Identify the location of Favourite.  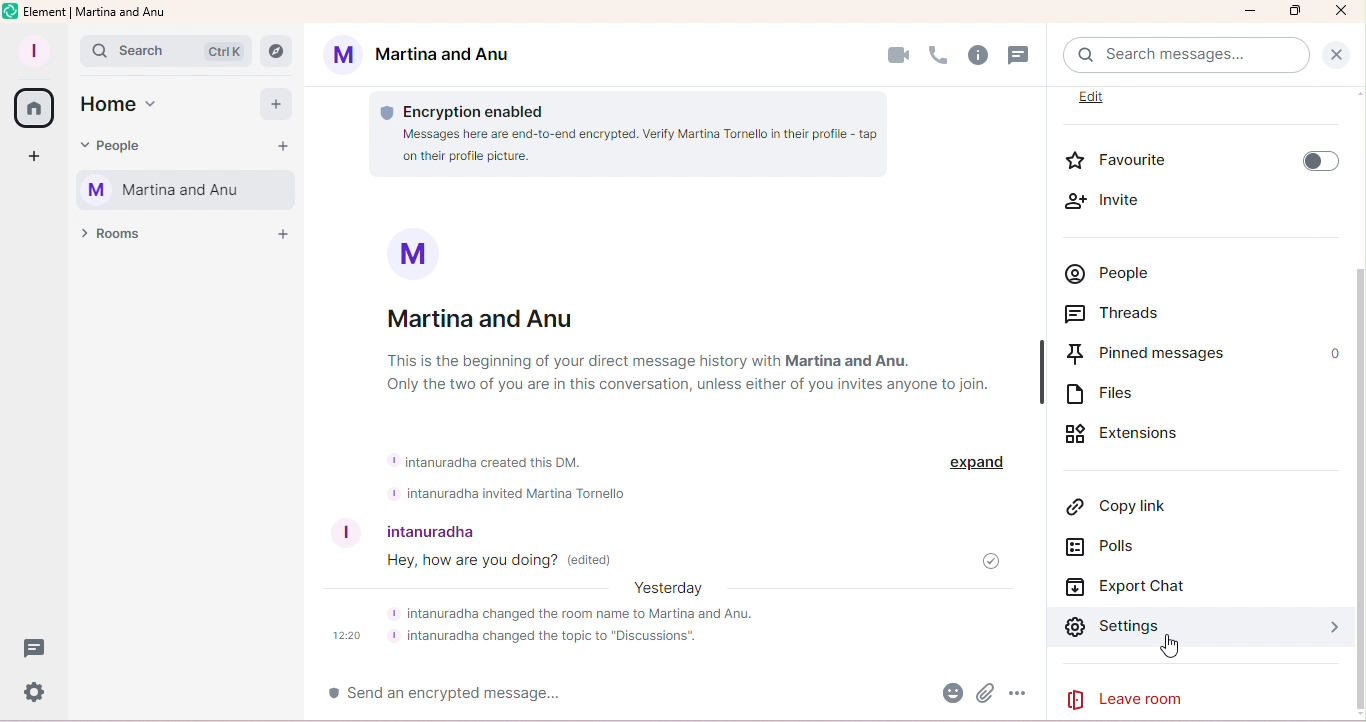
(1198, 157).